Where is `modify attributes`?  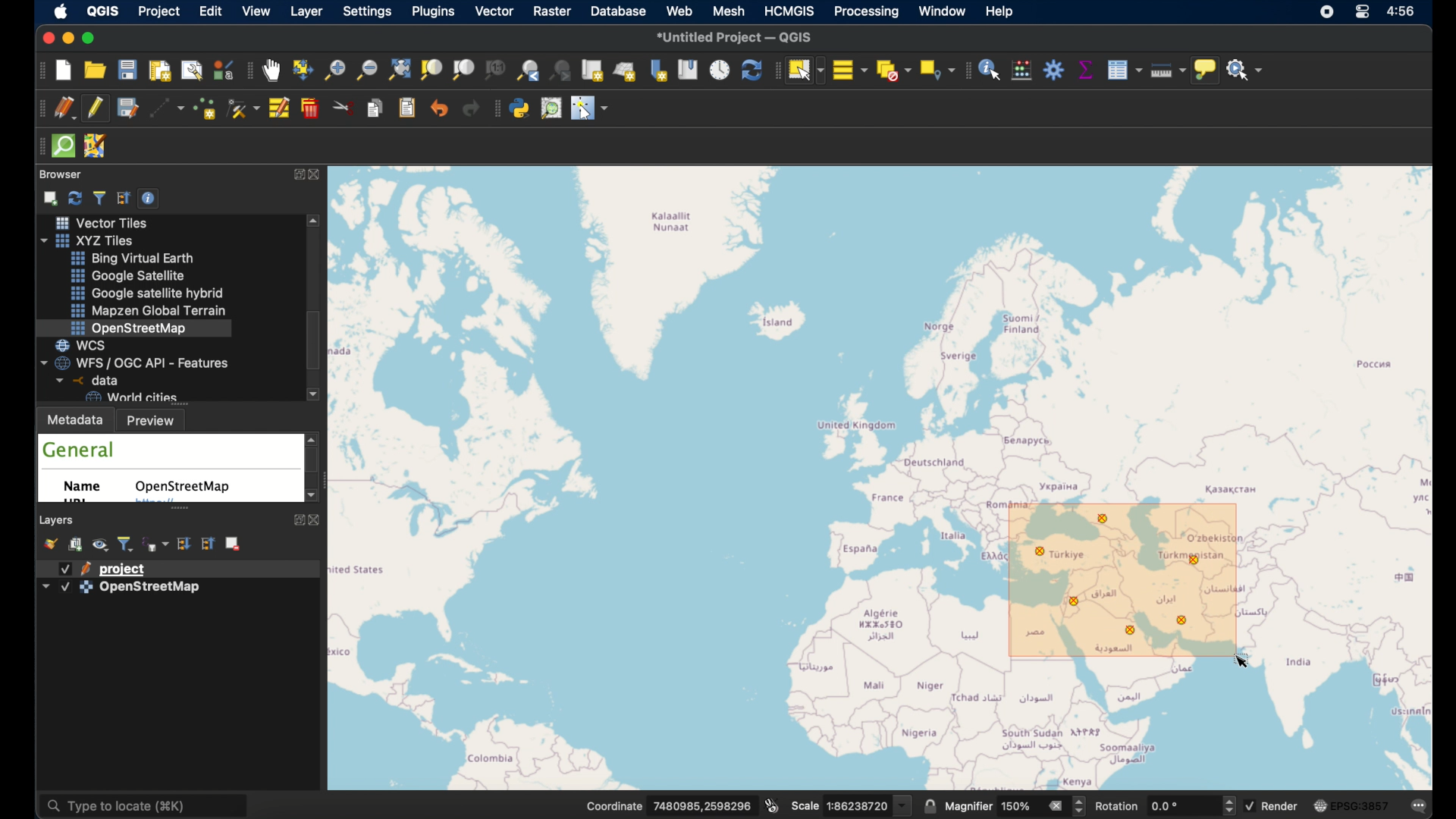
modify attributes is located at coordinates (281, 109).